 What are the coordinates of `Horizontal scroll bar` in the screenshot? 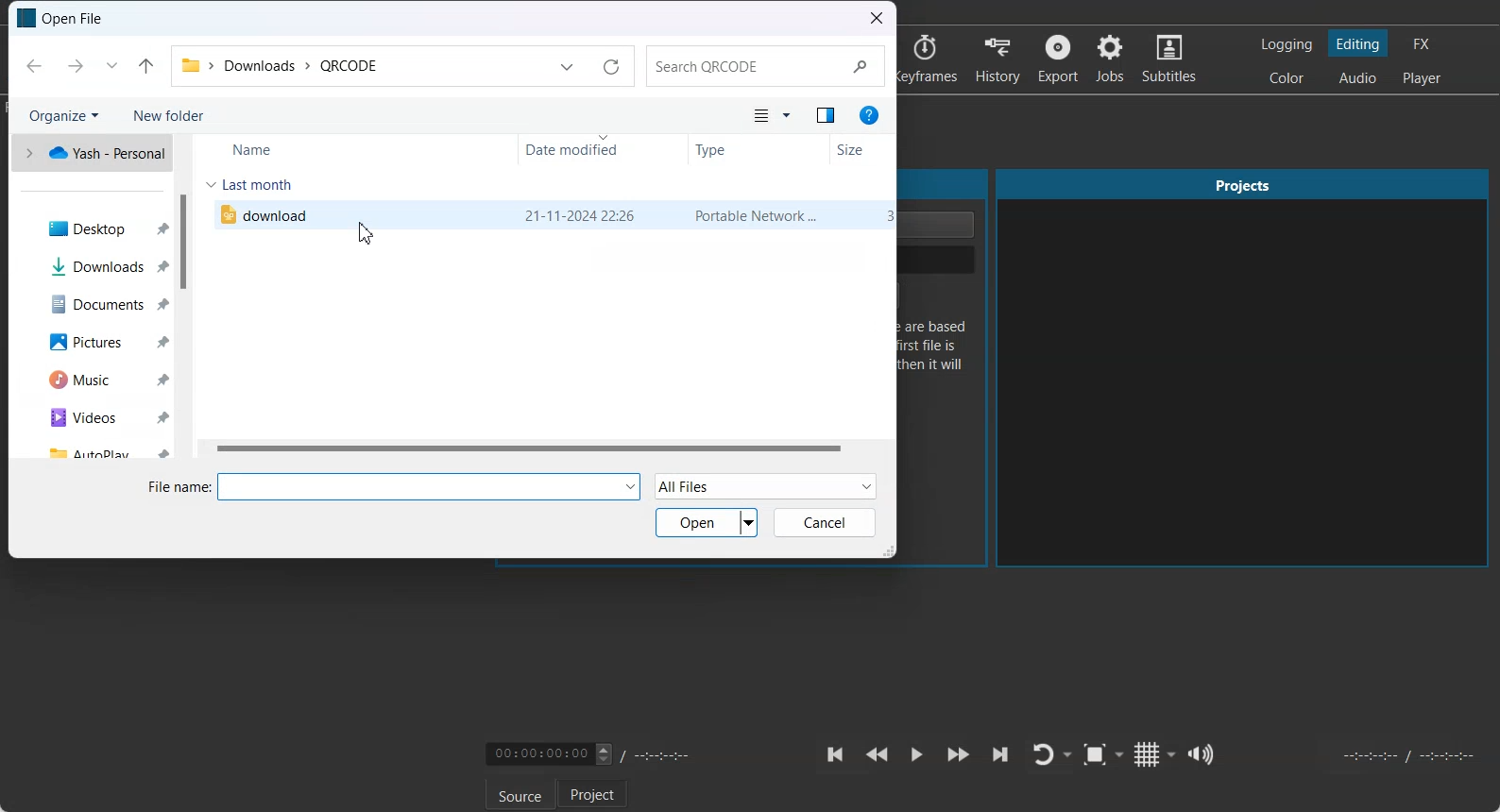 It's located at (528, 450).